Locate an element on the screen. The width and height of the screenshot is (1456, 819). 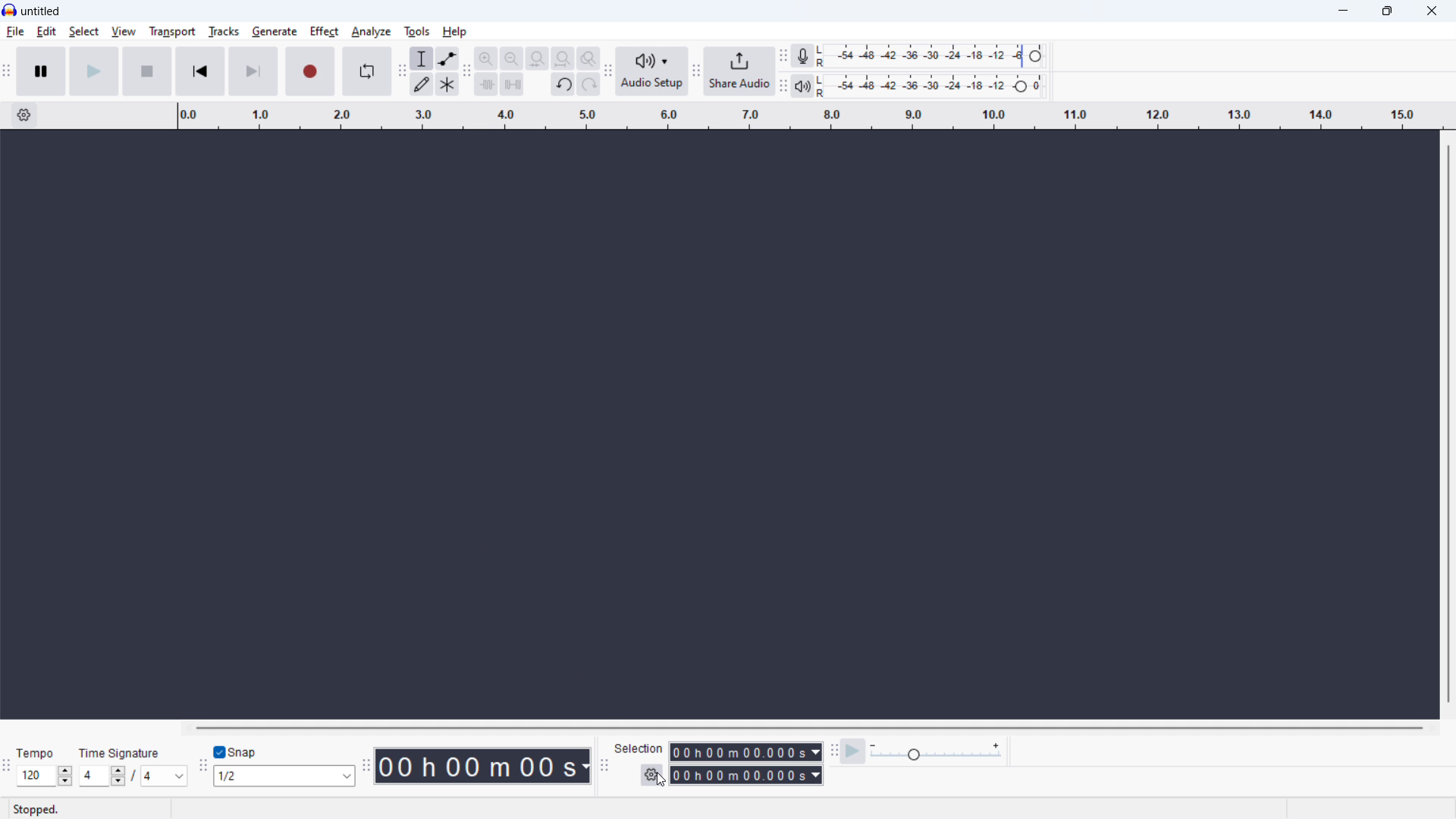
generate is located at coordinates (274, 32).